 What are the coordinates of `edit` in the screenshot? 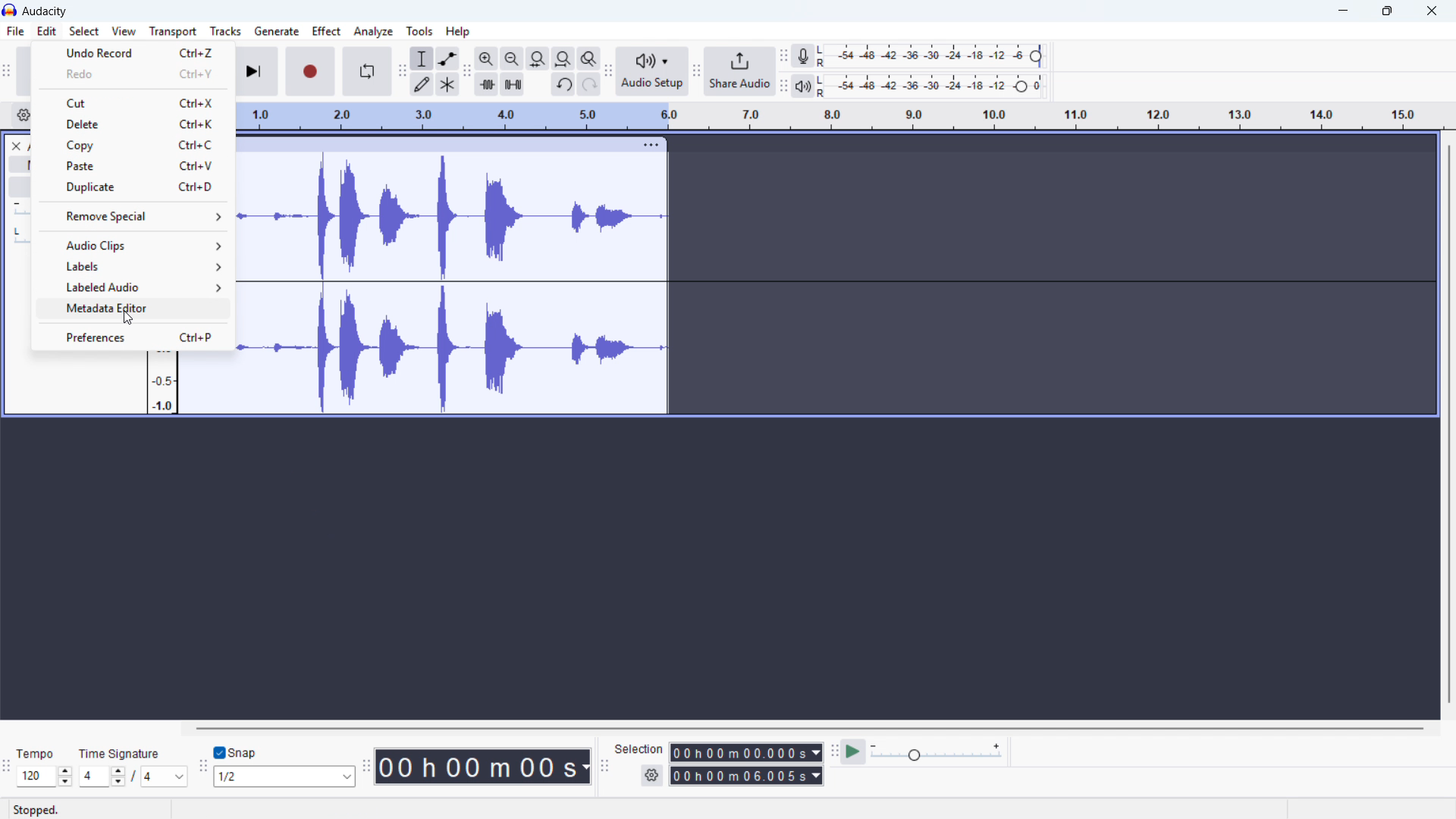 It's located at (47, 31).